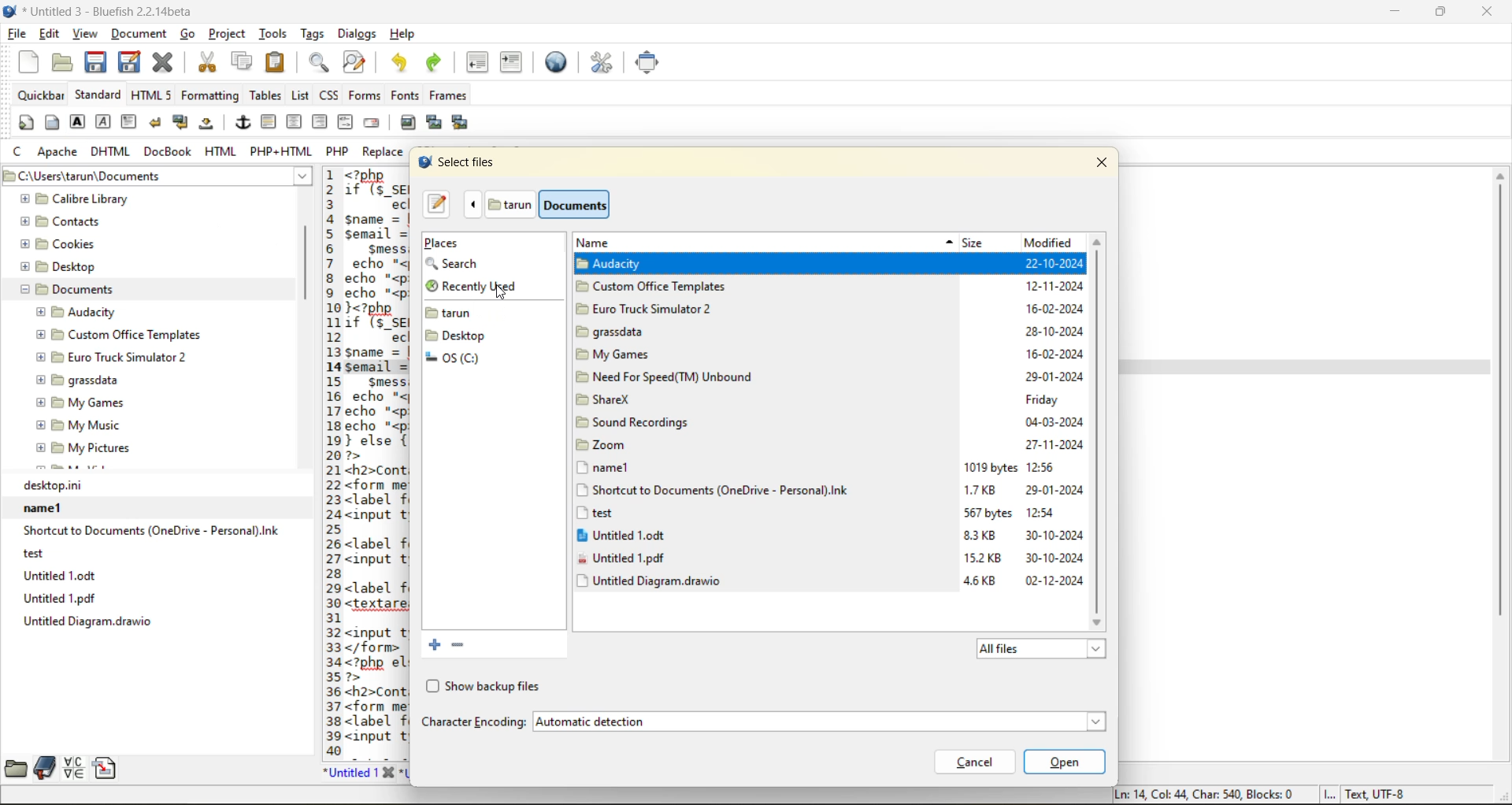  I want to click on name, so click(602, 243).